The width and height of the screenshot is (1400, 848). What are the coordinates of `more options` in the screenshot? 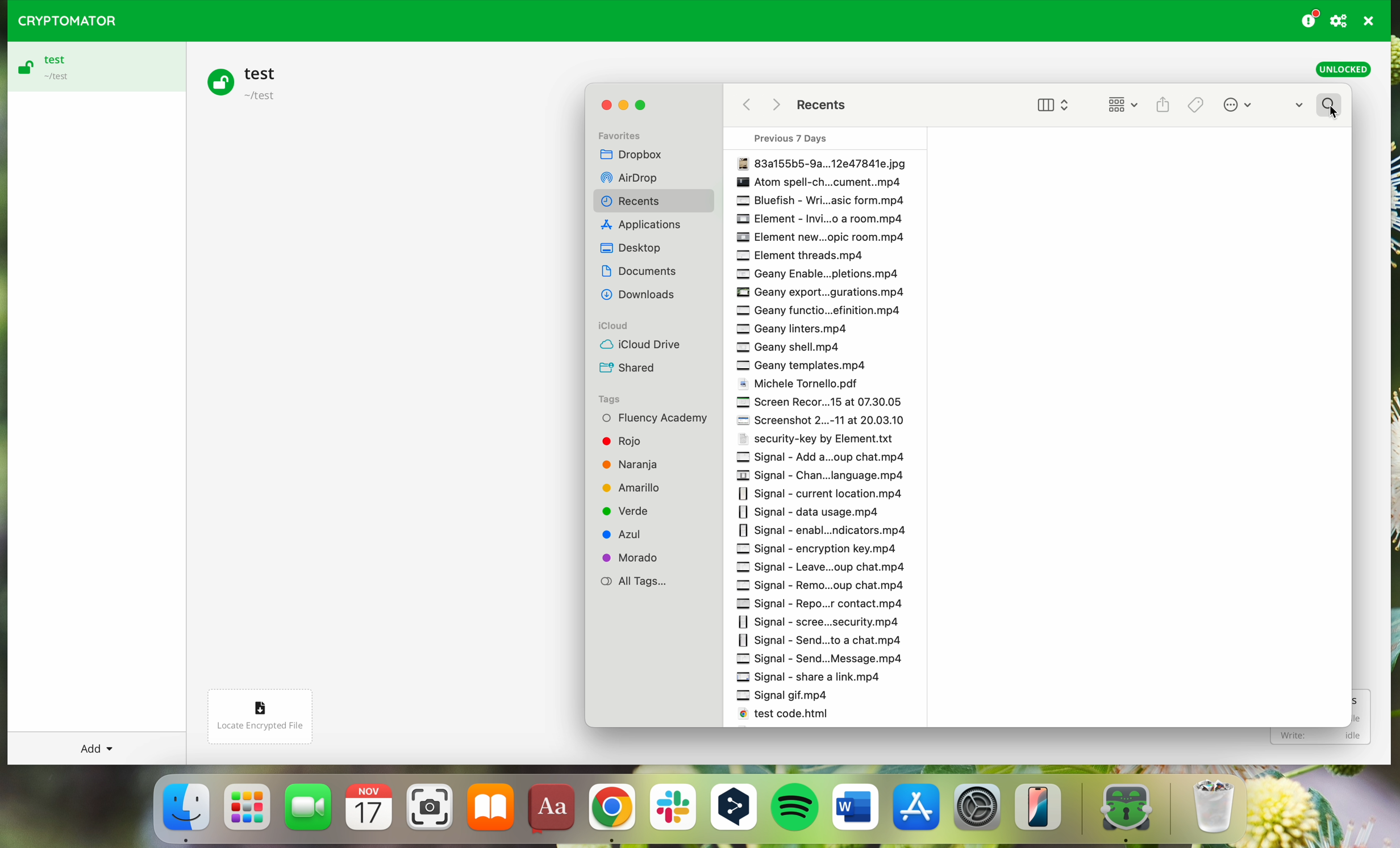 It's located at (1235, 106).